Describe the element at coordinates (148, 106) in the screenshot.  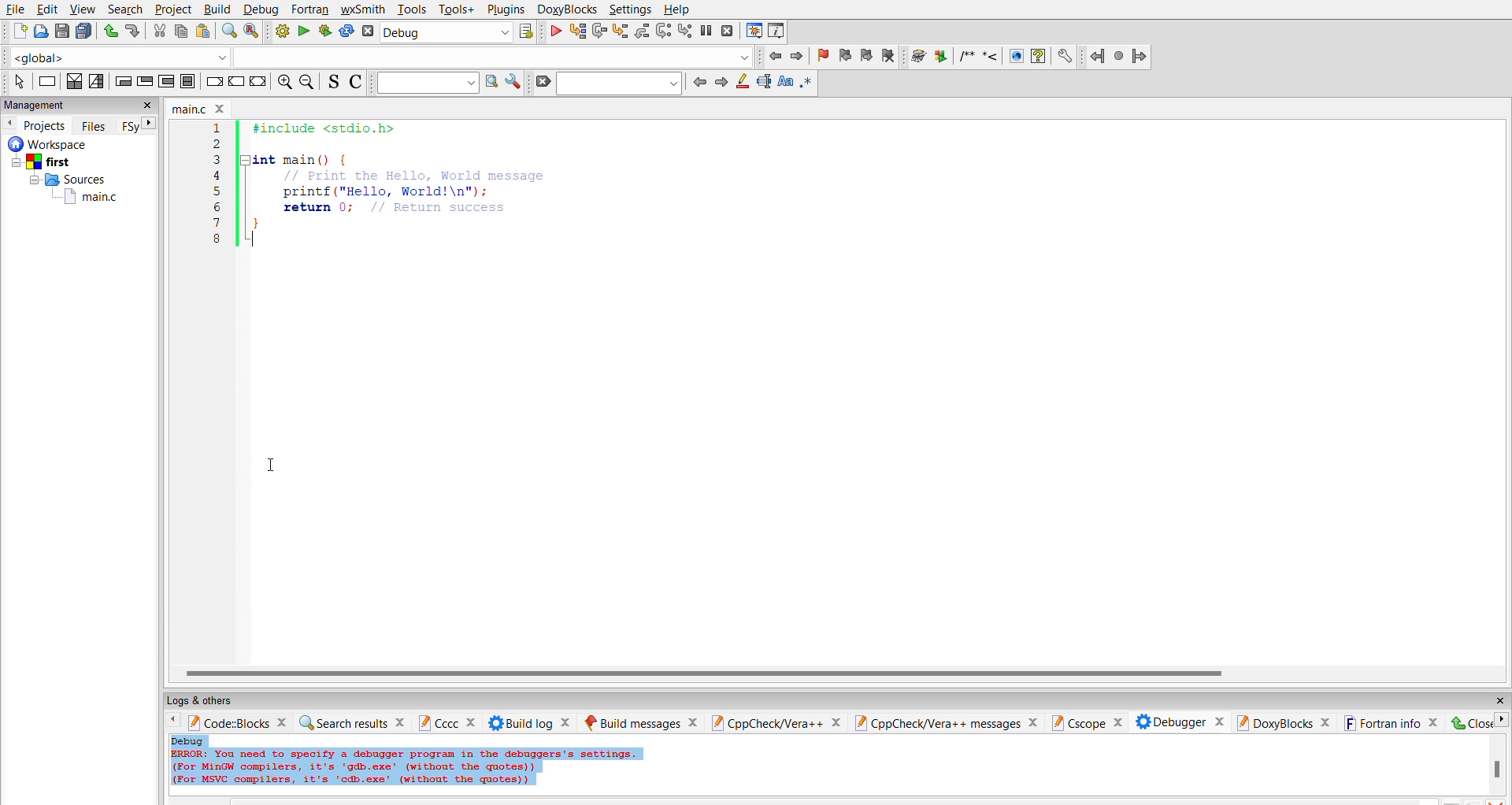
I see `close` at that location.